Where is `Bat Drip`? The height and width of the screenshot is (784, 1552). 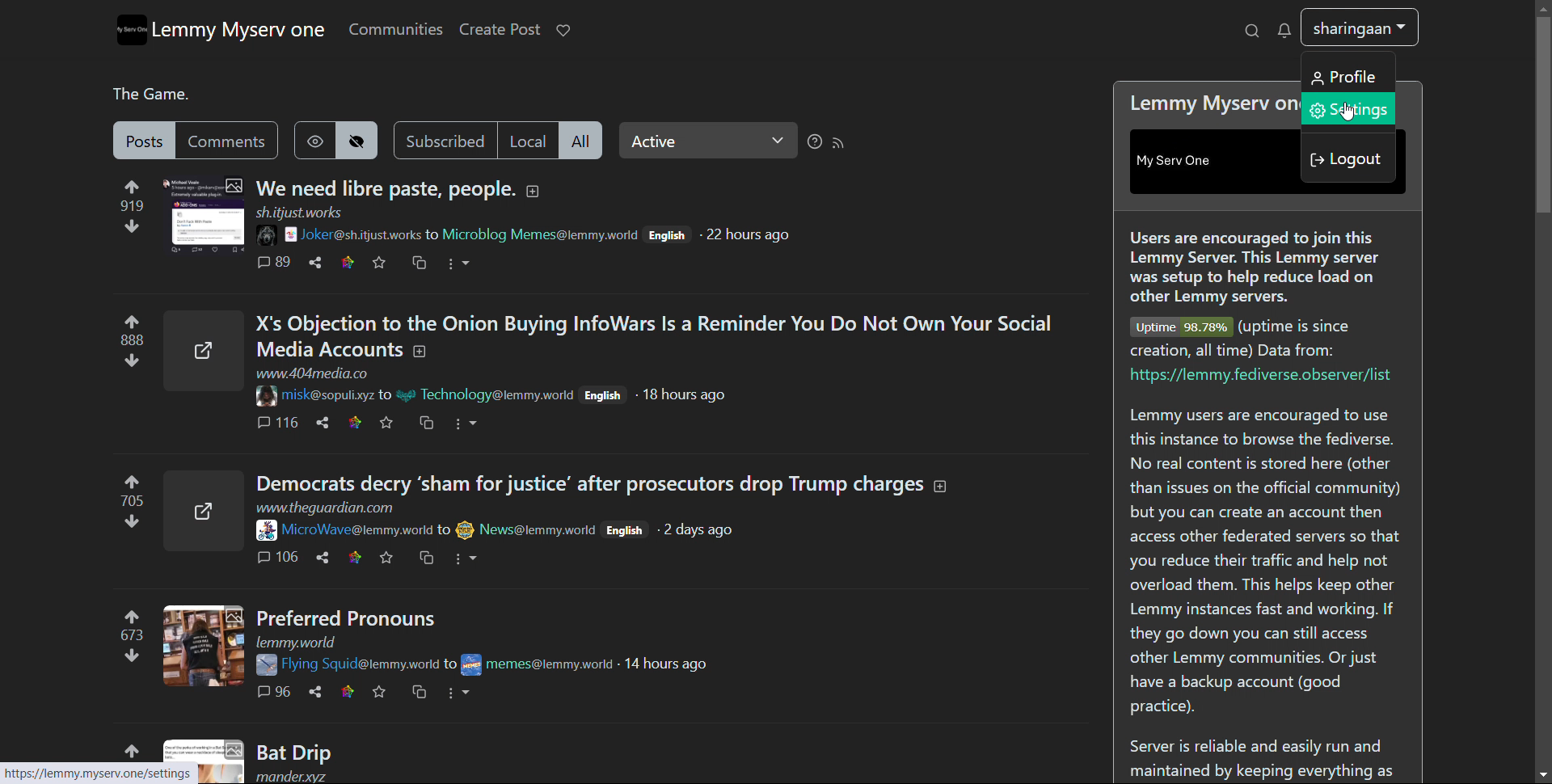 Bat Drip is located at coordinates (302, 750).